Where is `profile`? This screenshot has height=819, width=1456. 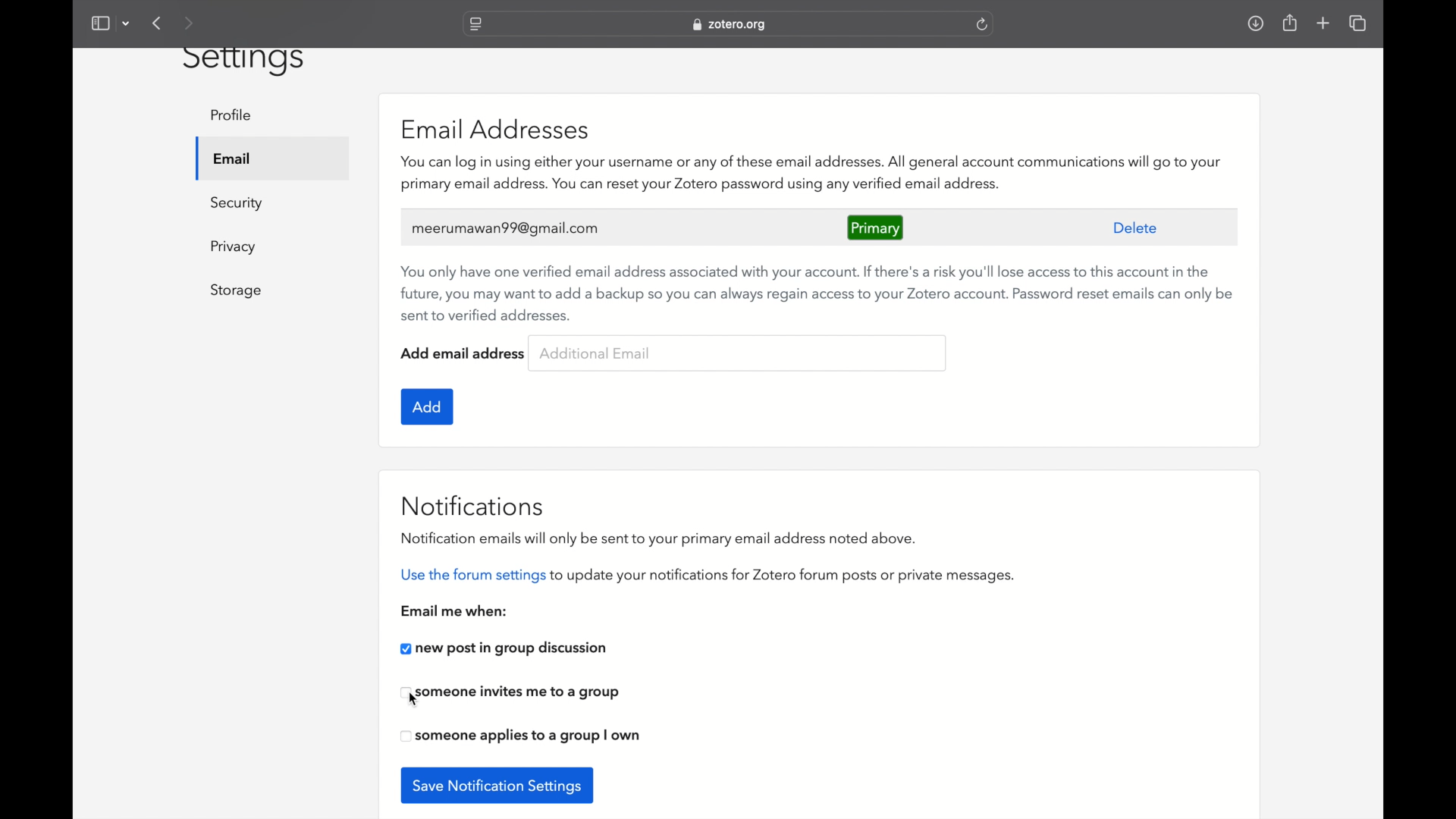 profile is located at coordinates (231, 116).